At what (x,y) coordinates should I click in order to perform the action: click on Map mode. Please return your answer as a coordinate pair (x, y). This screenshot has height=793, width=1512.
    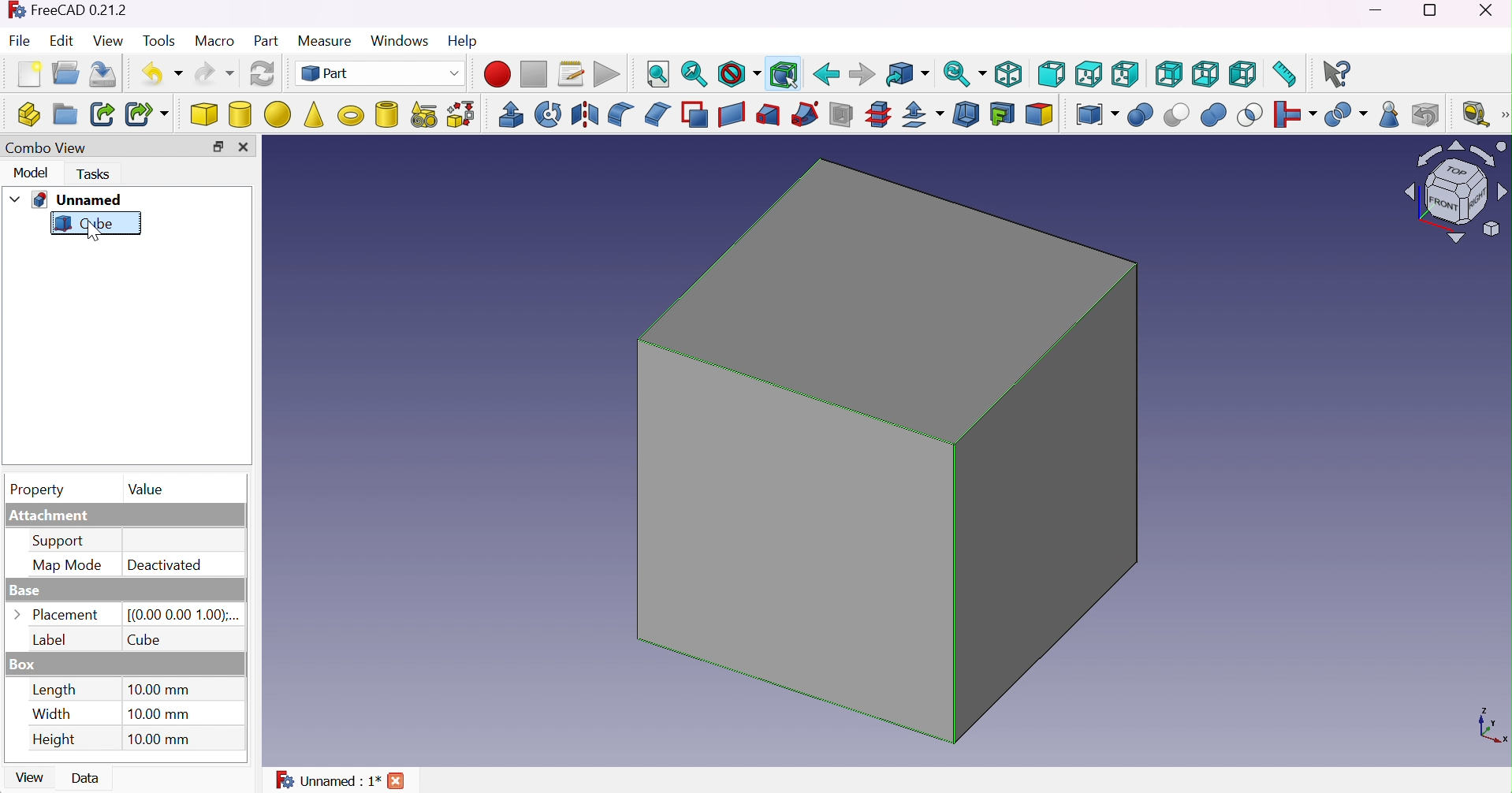
    Looking at the image, I should click on (70, 566).